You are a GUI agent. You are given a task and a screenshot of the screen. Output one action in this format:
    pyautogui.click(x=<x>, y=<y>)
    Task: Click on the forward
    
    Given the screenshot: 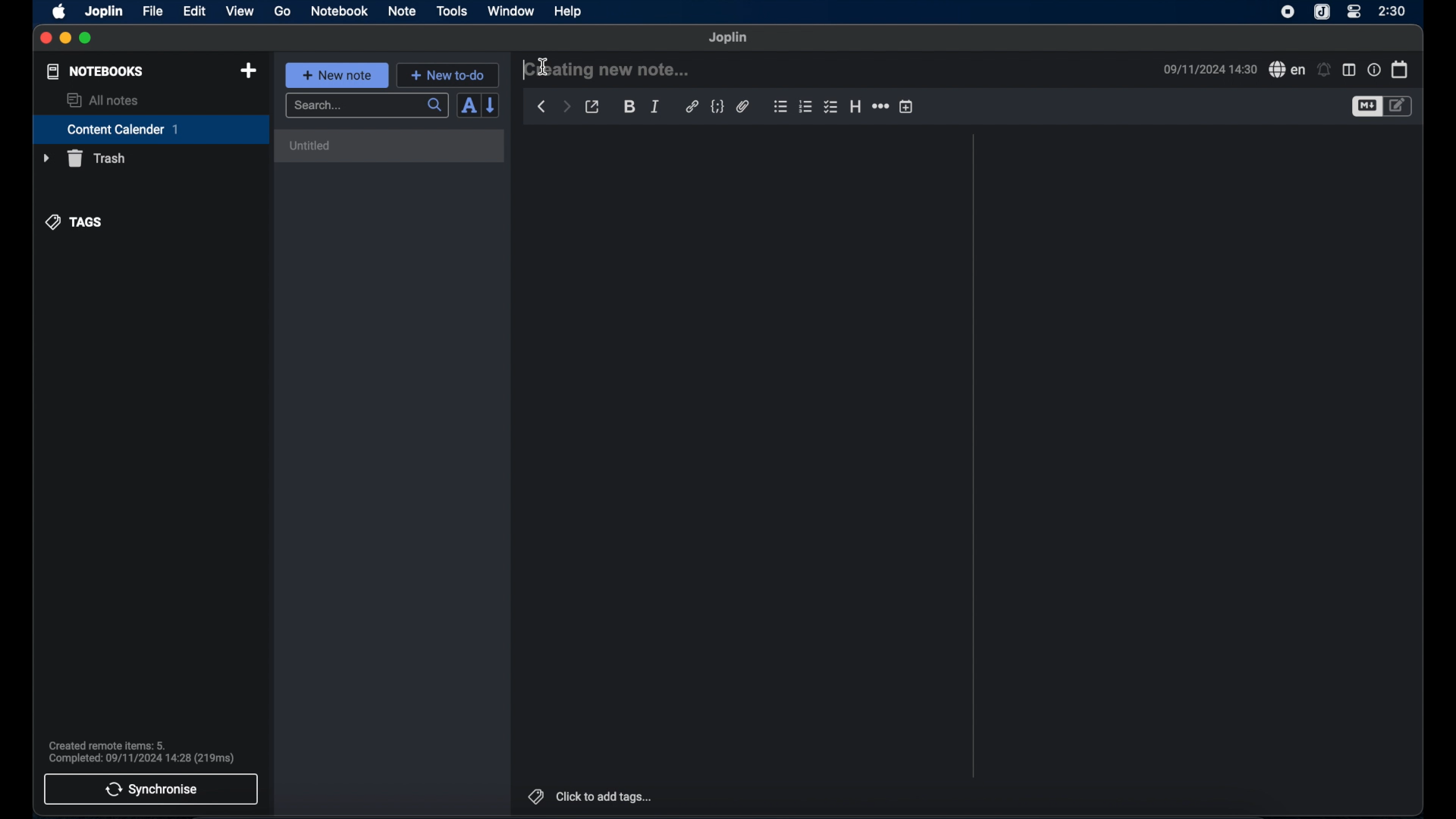 What is the action you would take?
    pyautogui.click(x=566, y=105)
    